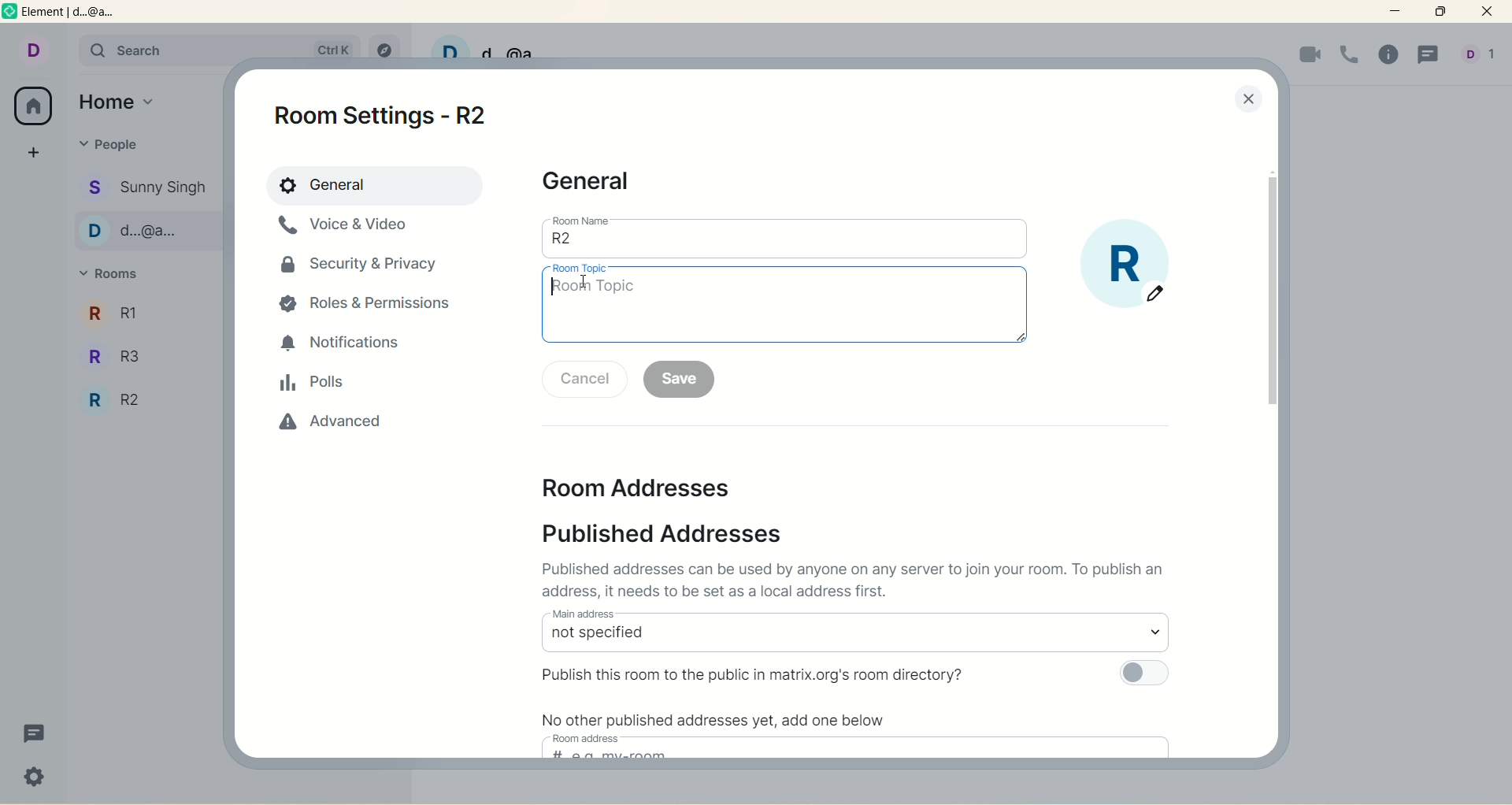  Describe the element at coordinates (1127, 265) in the screenshot. I see `room display picture` at that location.